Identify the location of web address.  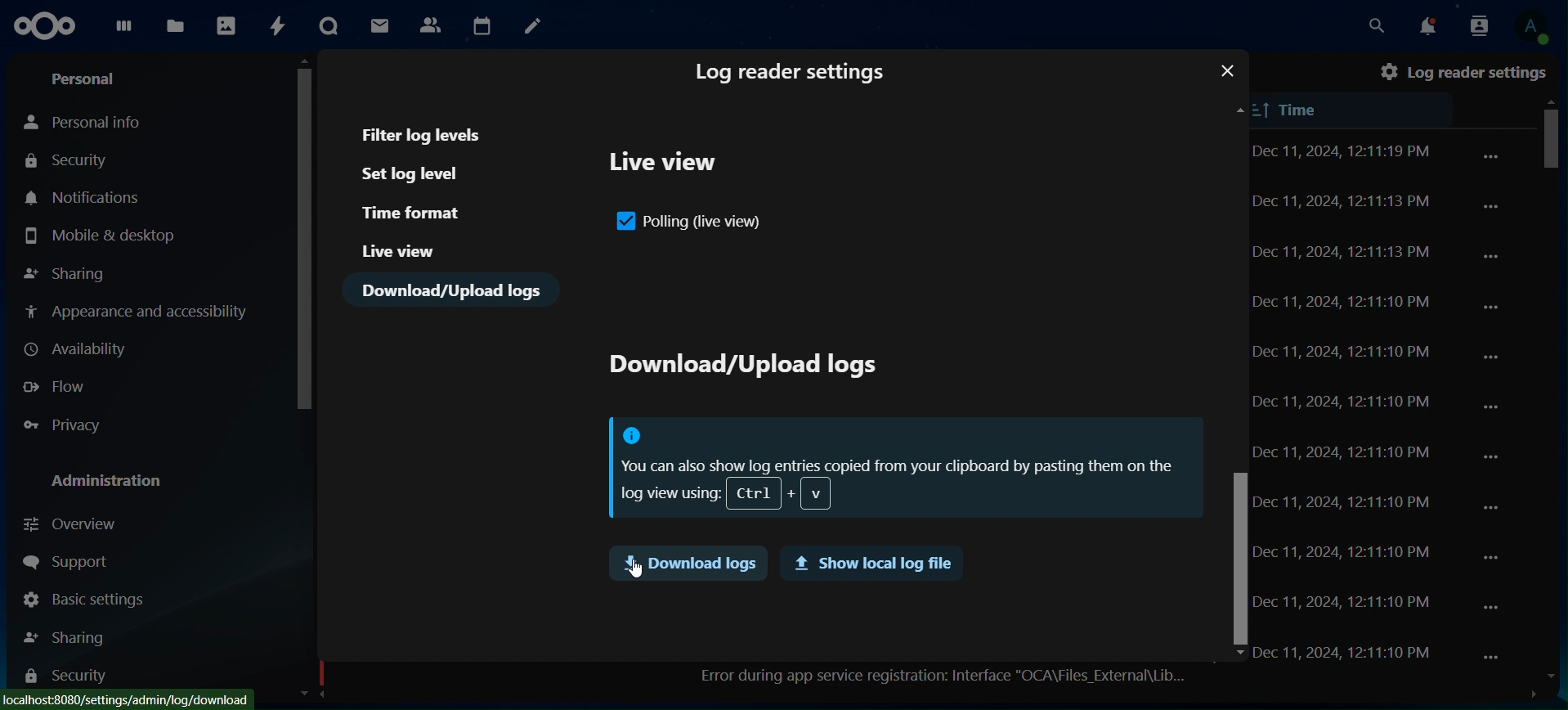
(128, 699).